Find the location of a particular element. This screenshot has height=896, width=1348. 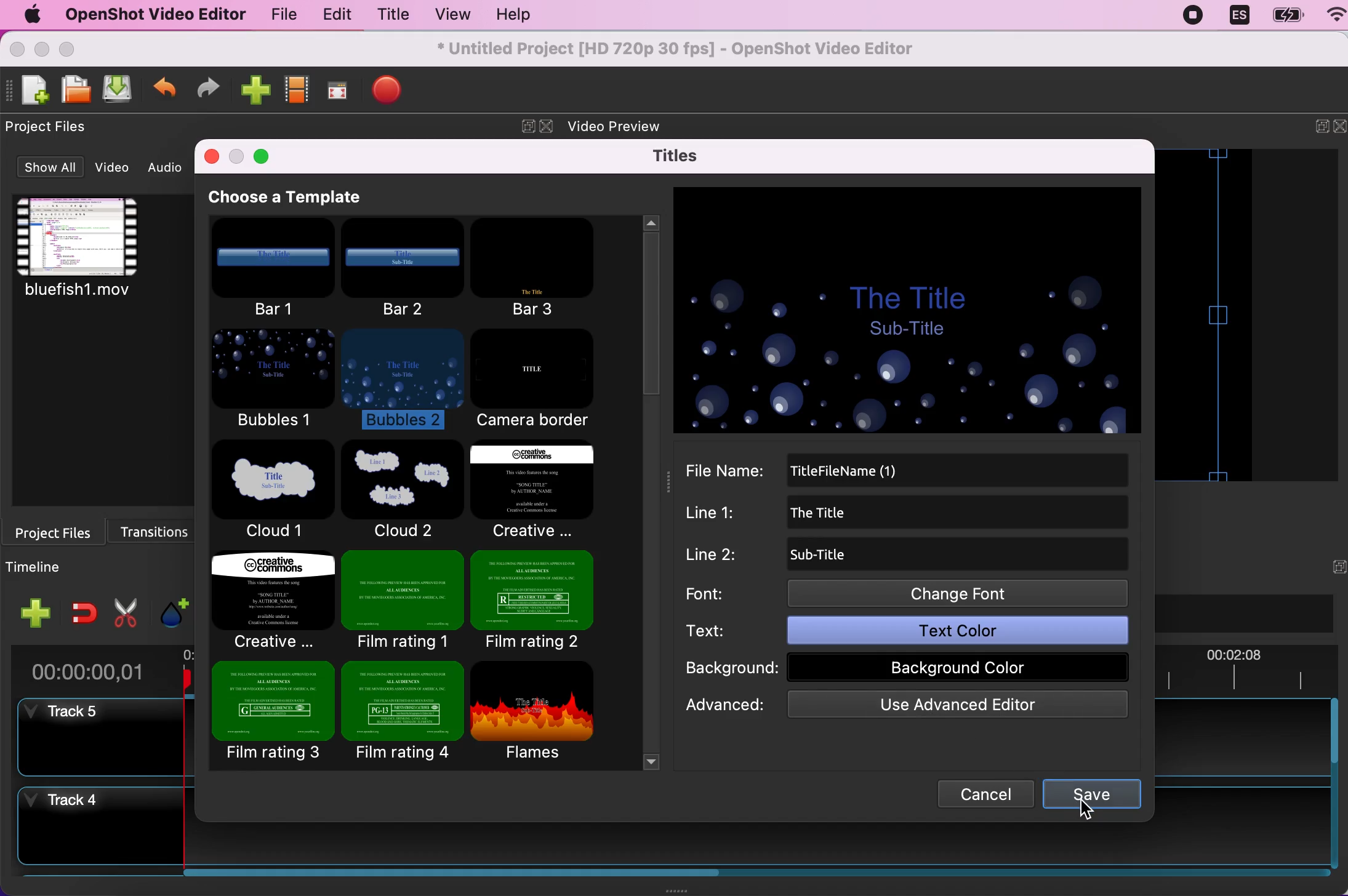

sub-title is located at coordinates (840, 554).